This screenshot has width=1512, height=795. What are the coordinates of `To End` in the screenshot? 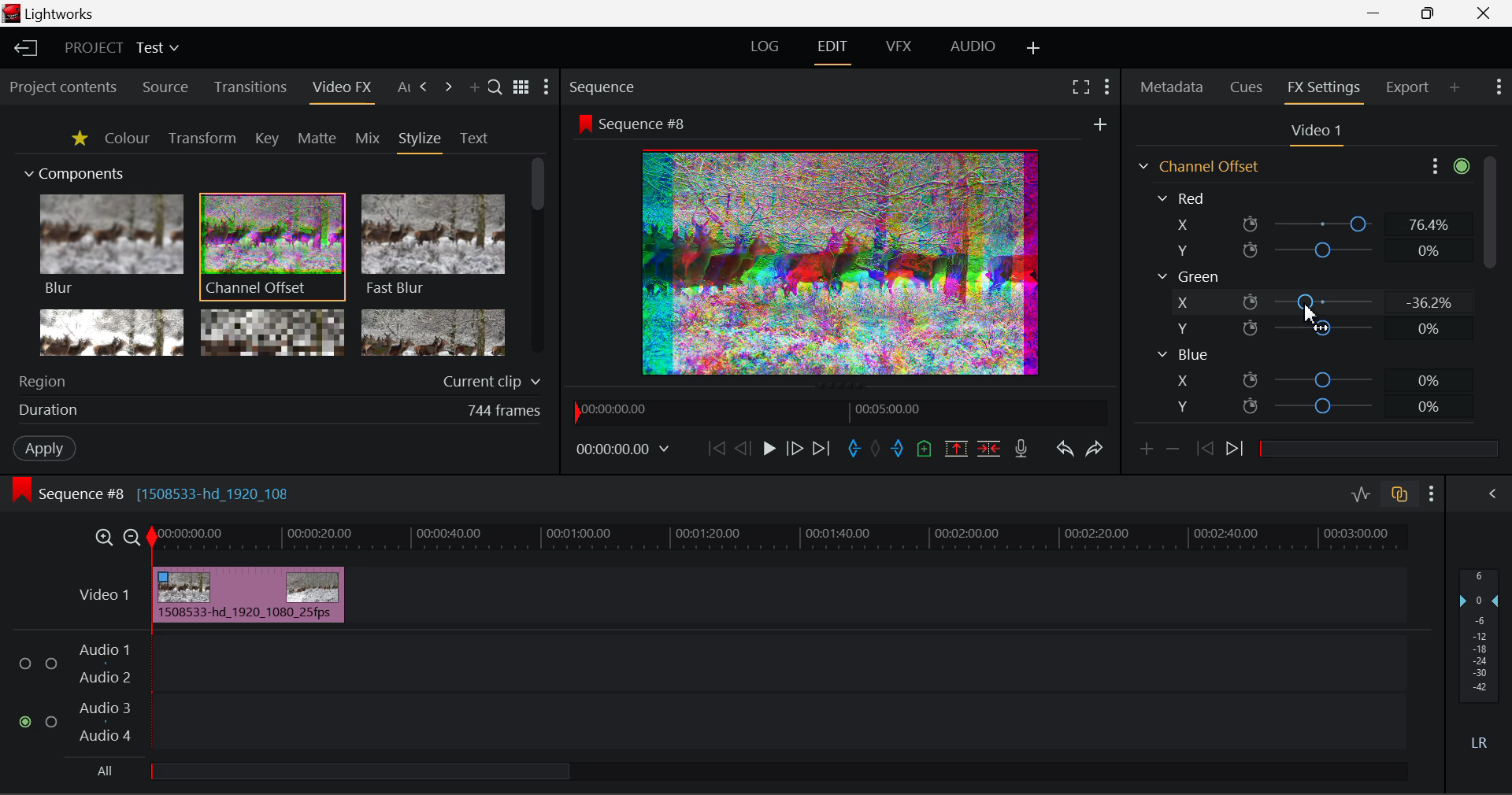 It's located at (825, 449).